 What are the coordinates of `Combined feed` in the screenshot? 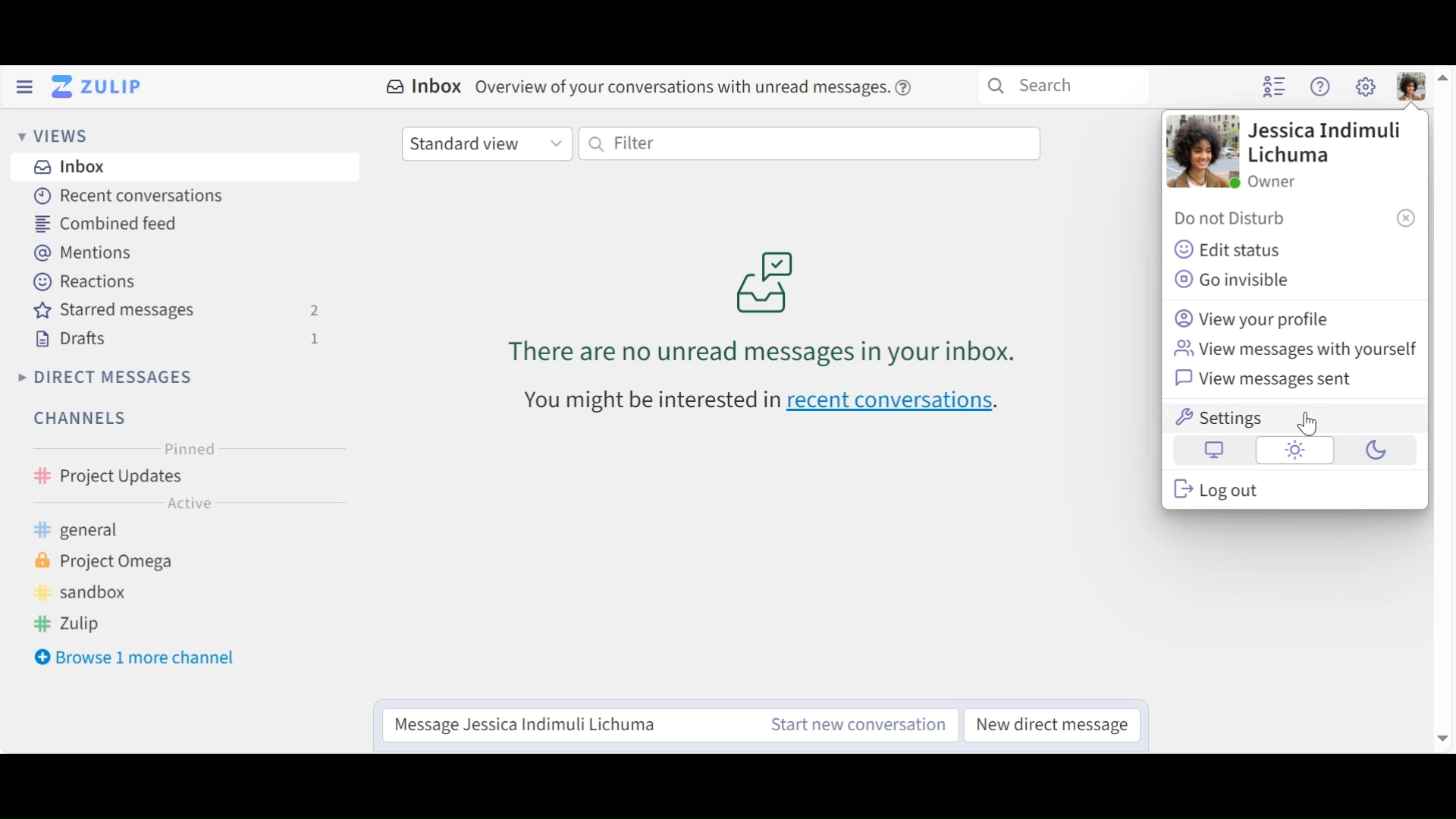 It's located at (106, 224).